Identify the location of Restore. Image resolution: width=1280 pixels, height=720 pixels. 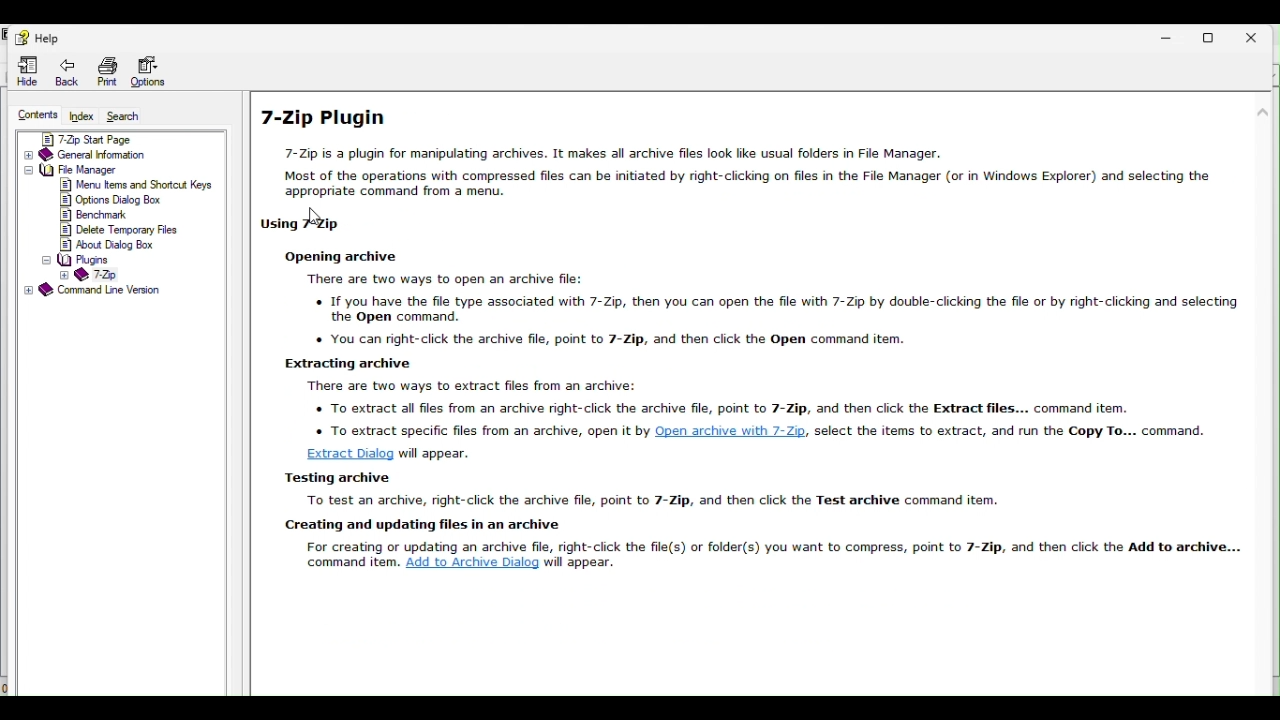
(1216, 36).